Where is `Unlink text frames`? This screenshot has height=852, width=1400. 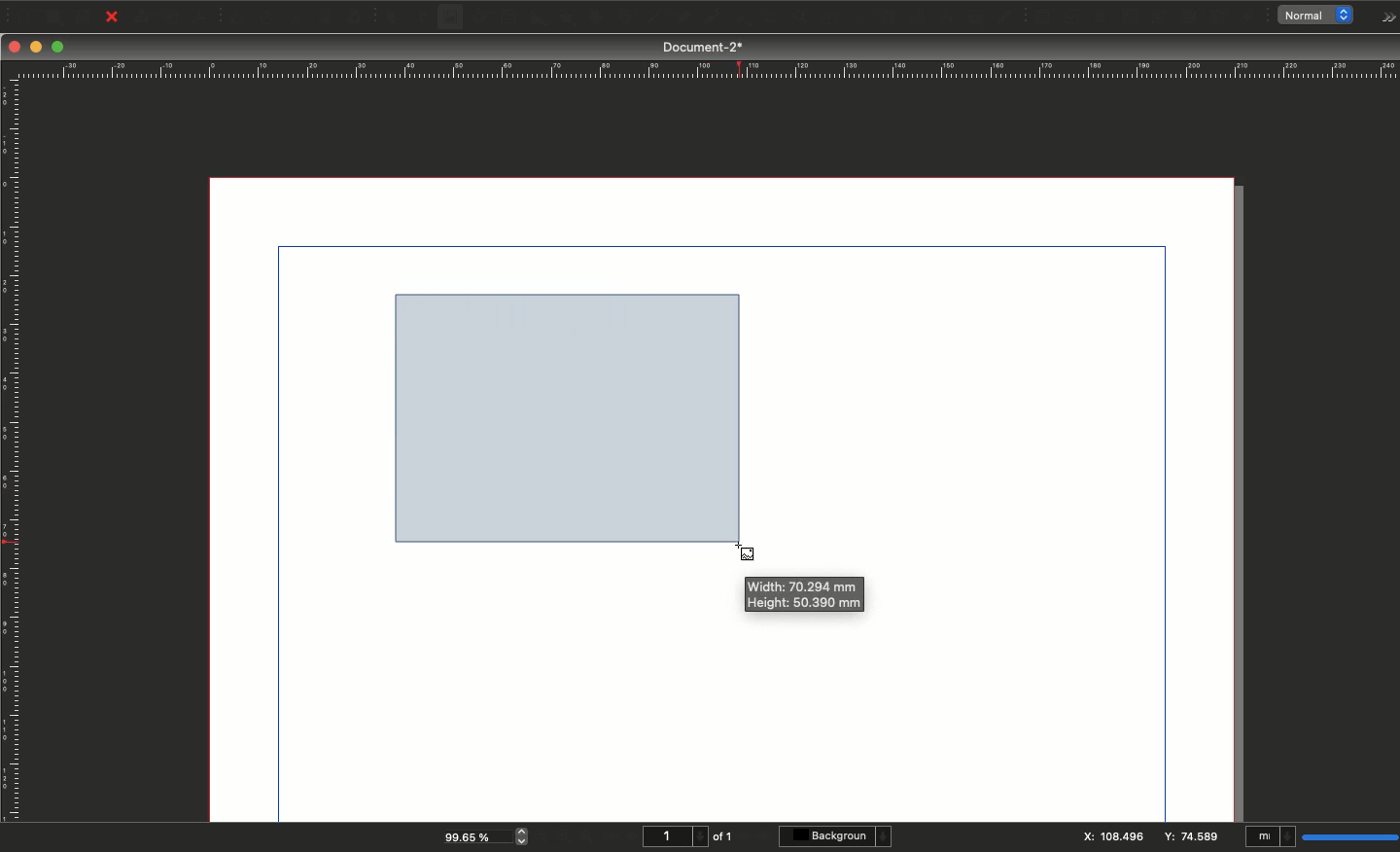
Unlink text frames is located at coordinates (911, 17).